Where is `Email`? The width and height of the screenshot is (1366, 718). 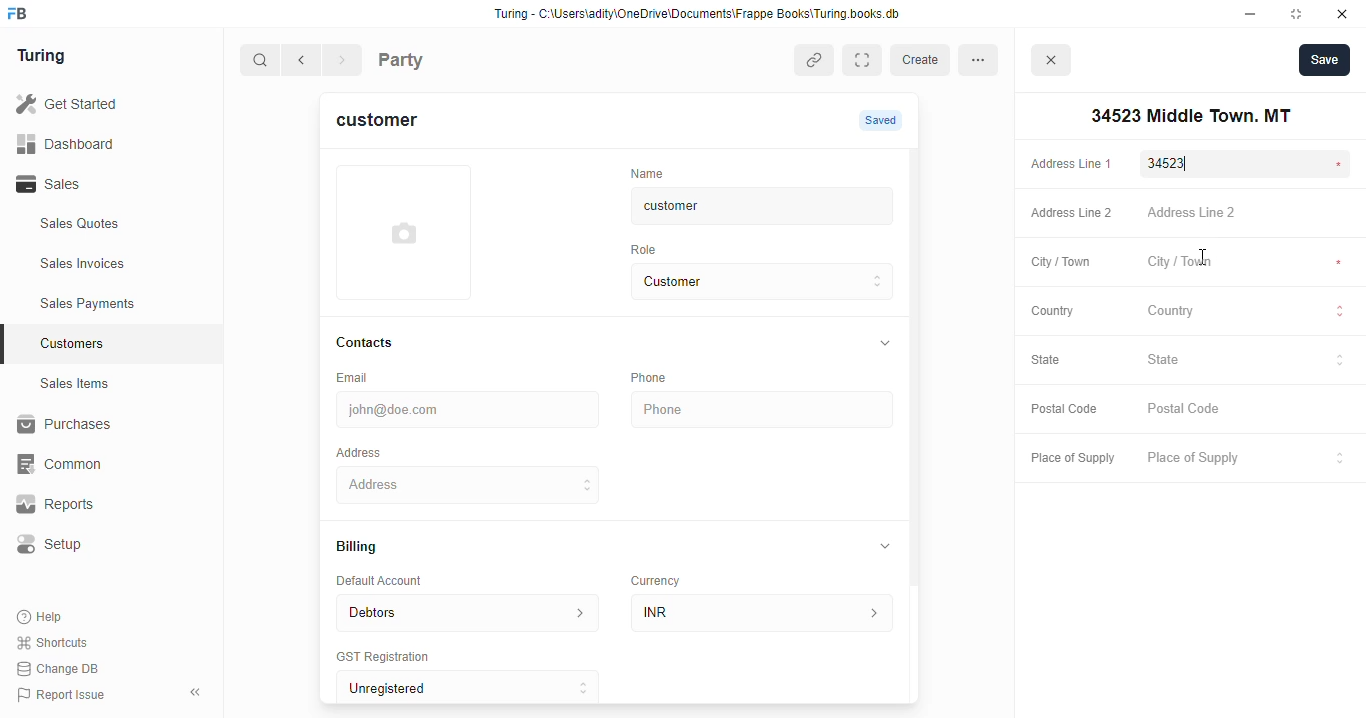 Email is located at coordinates (356, 376).